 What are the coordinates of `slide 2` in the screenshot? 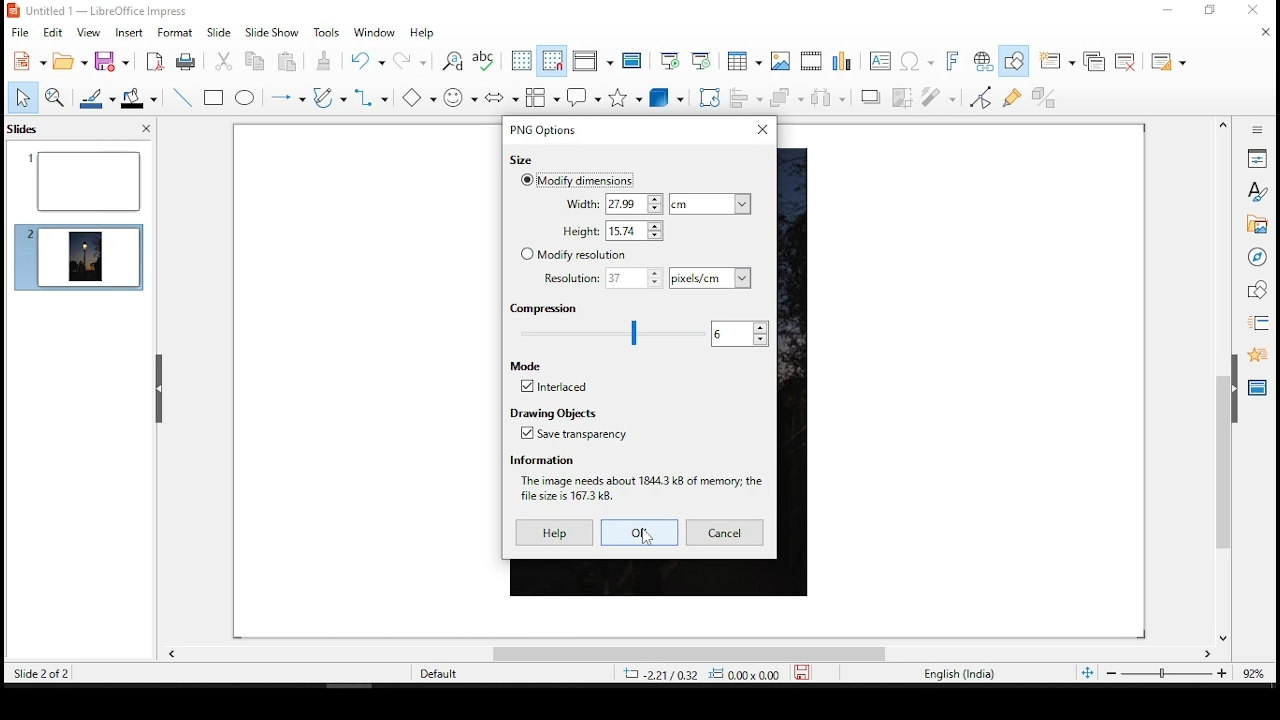 It's located at (85, 254).